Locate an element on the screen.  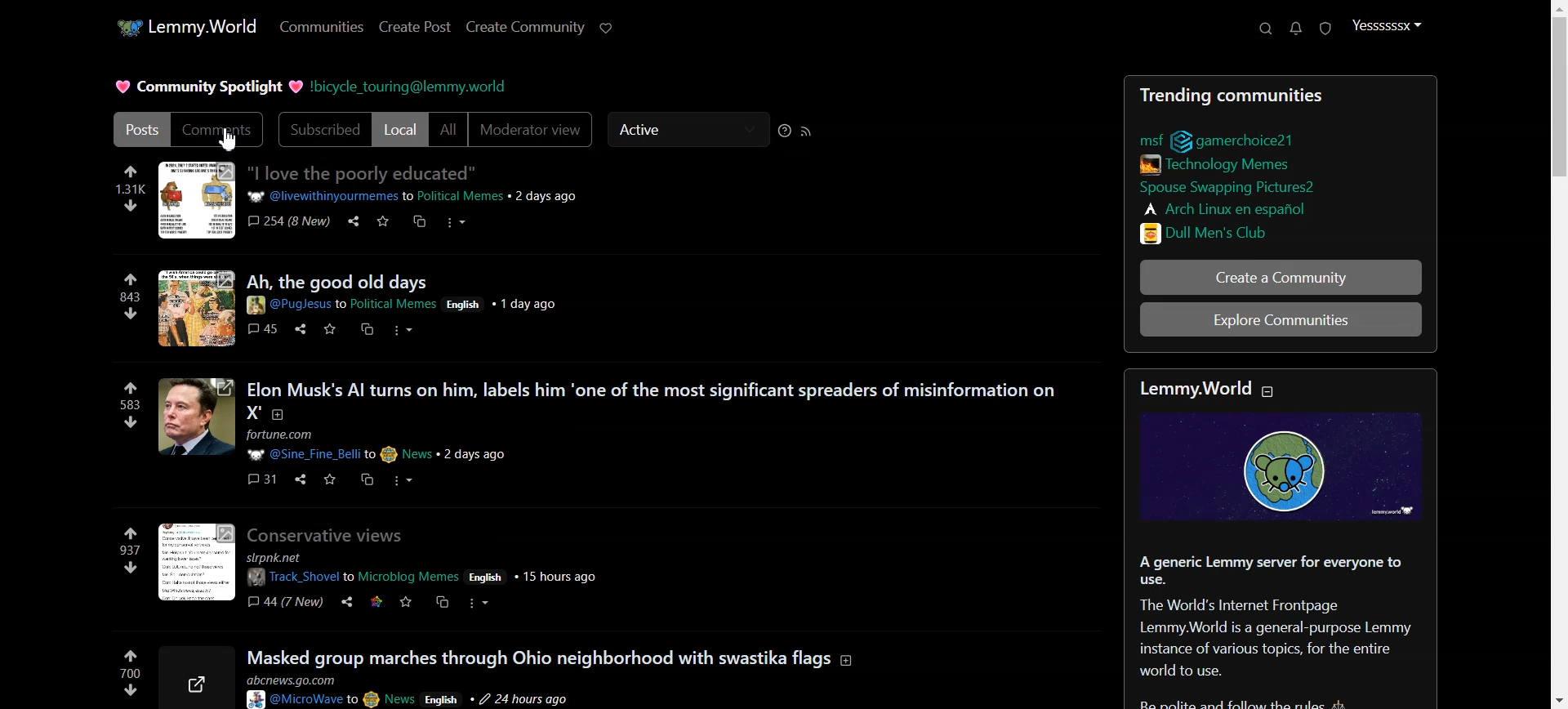
All is located at coordinates (448, 131).